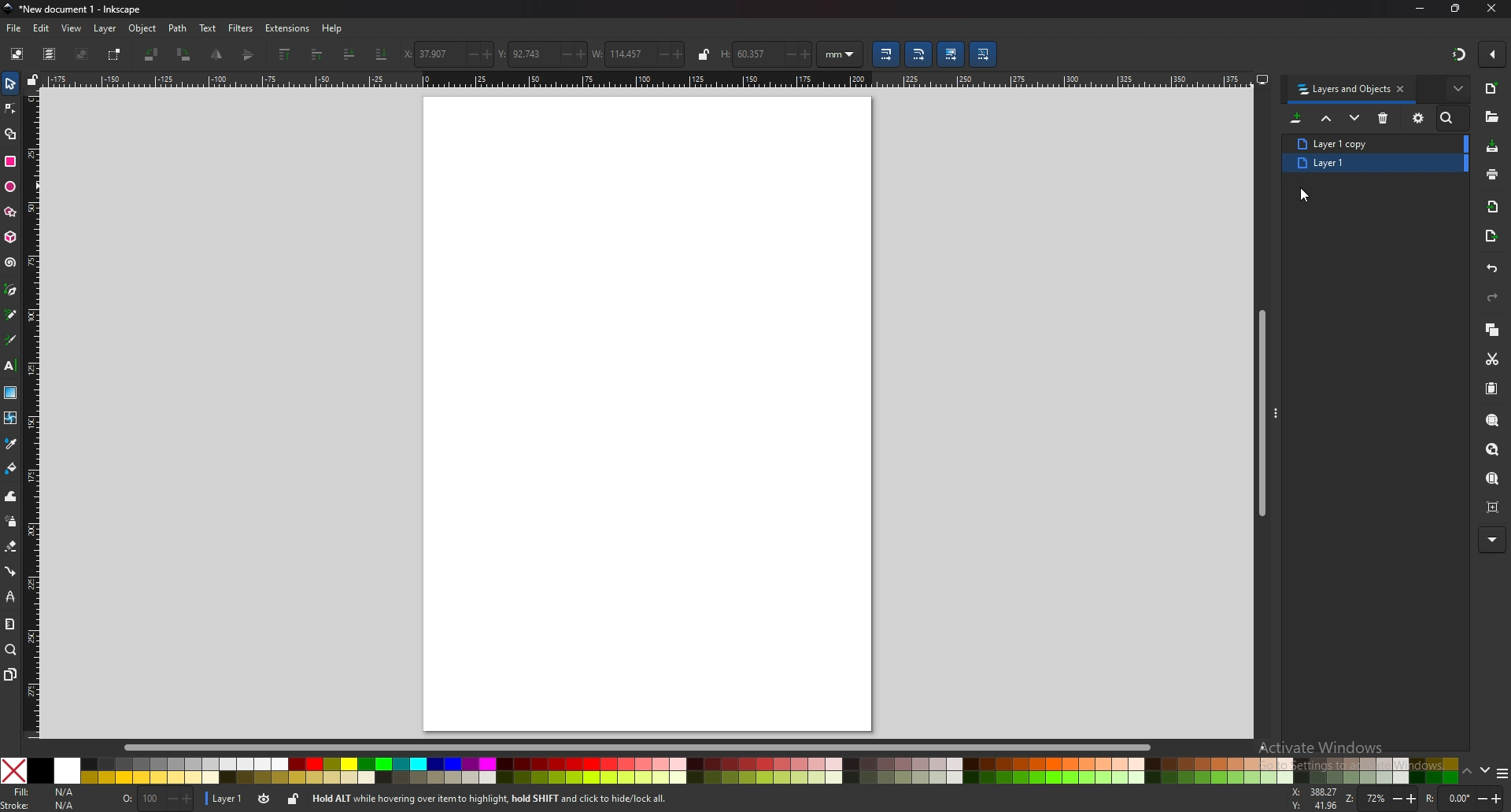 This screenshot has height=812, width=1511. What do you see at coordinates (1493, 206) in the screenshot?
I see `import` at bounding box center [1493, 206].